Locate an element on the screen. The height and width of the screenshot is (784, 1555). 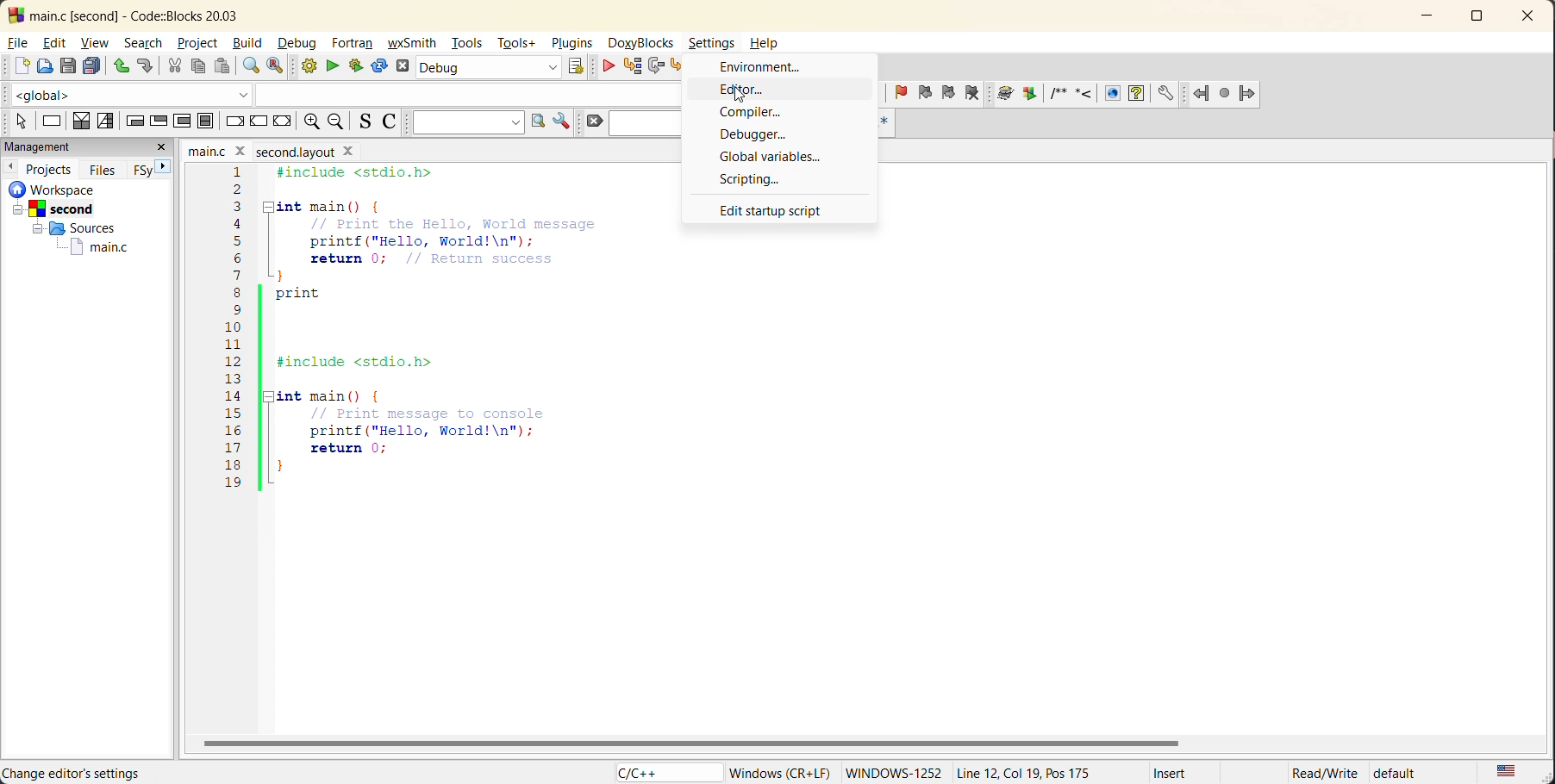
close is located at coordinates (1531, 20).